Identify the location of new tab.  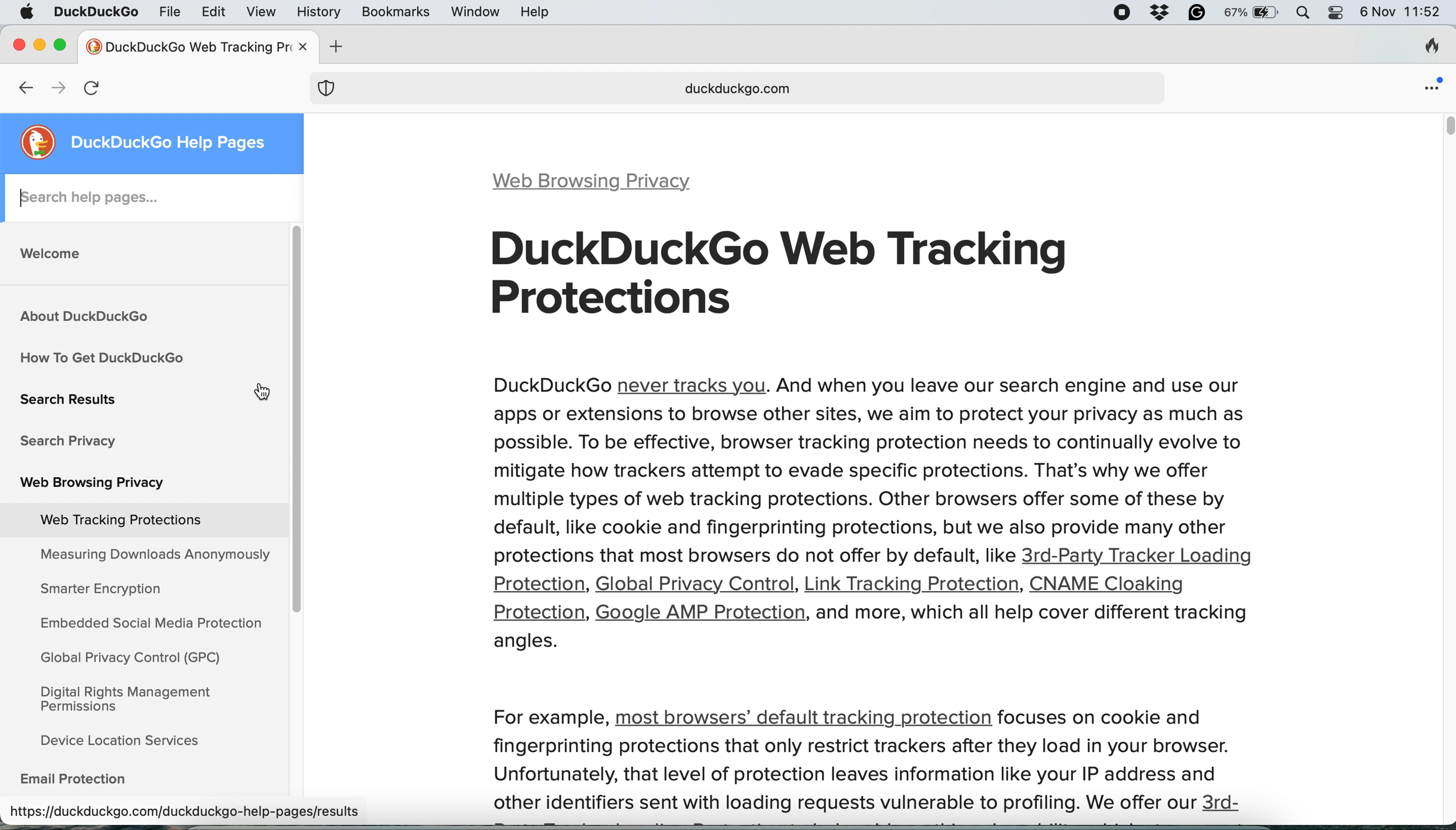
(185, 45).